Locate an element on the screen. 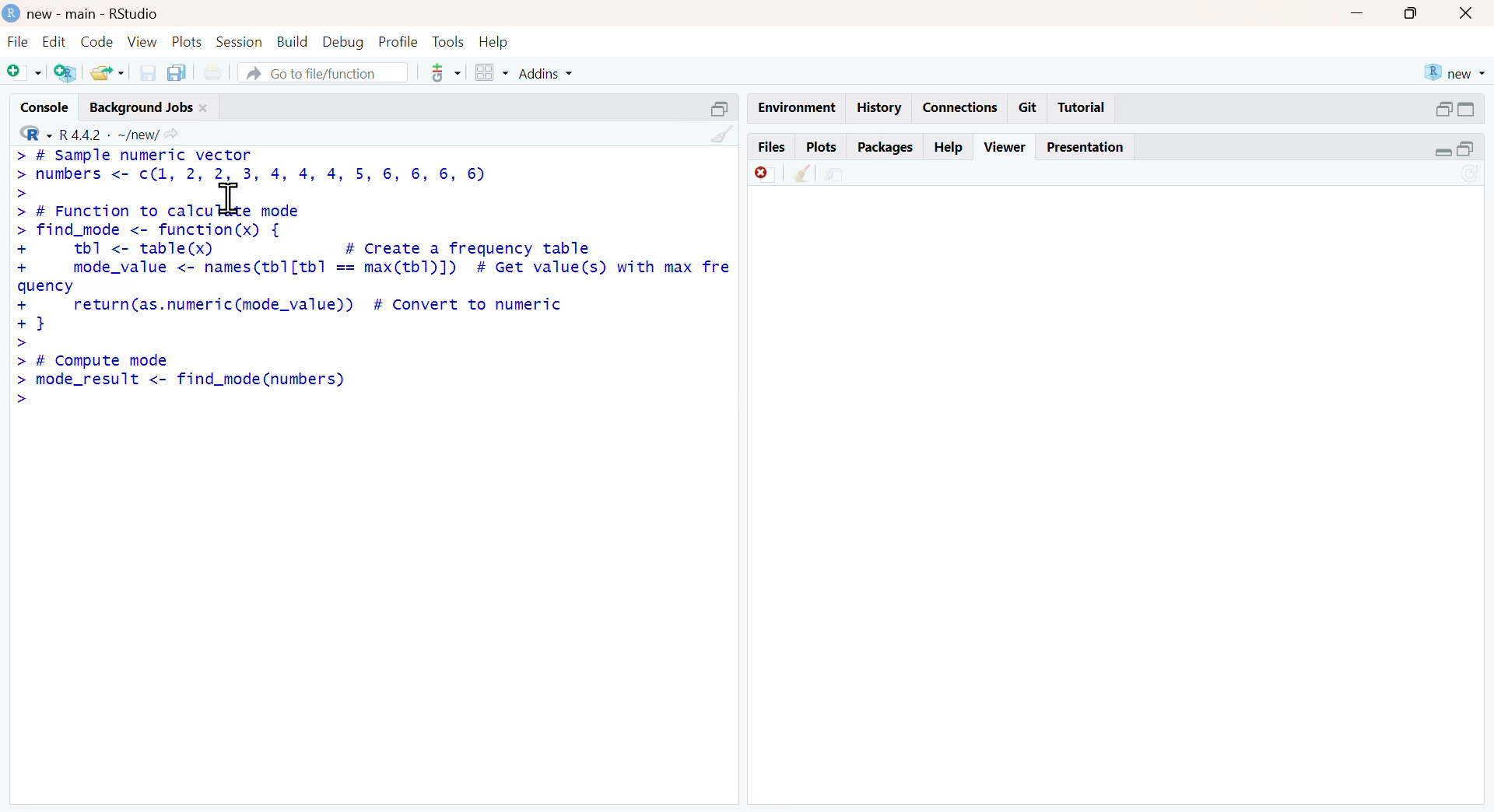  close is located at coordinates (205, 108).